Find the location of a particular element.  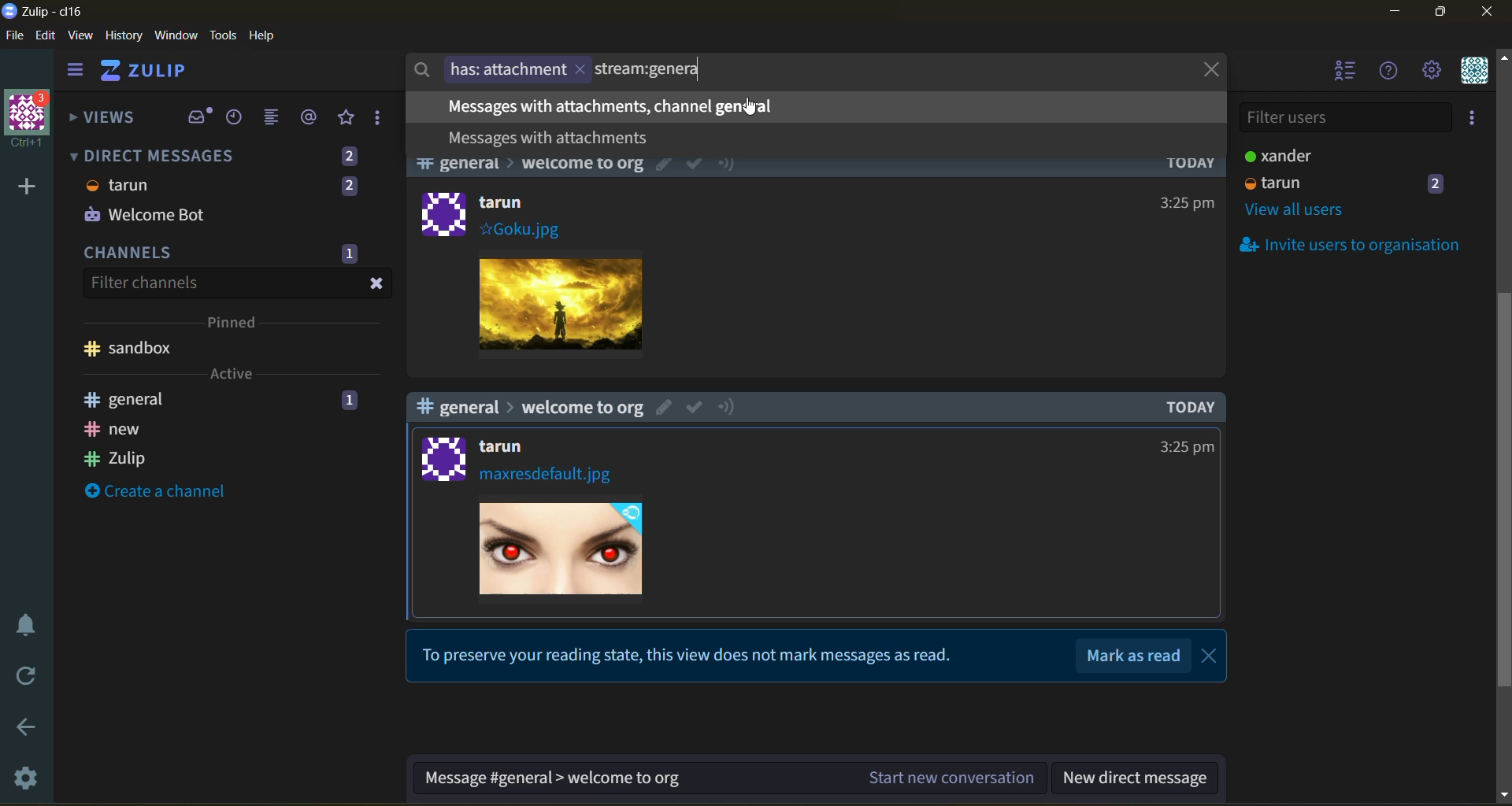

add a new organisation is located at coordinates (28, 186).